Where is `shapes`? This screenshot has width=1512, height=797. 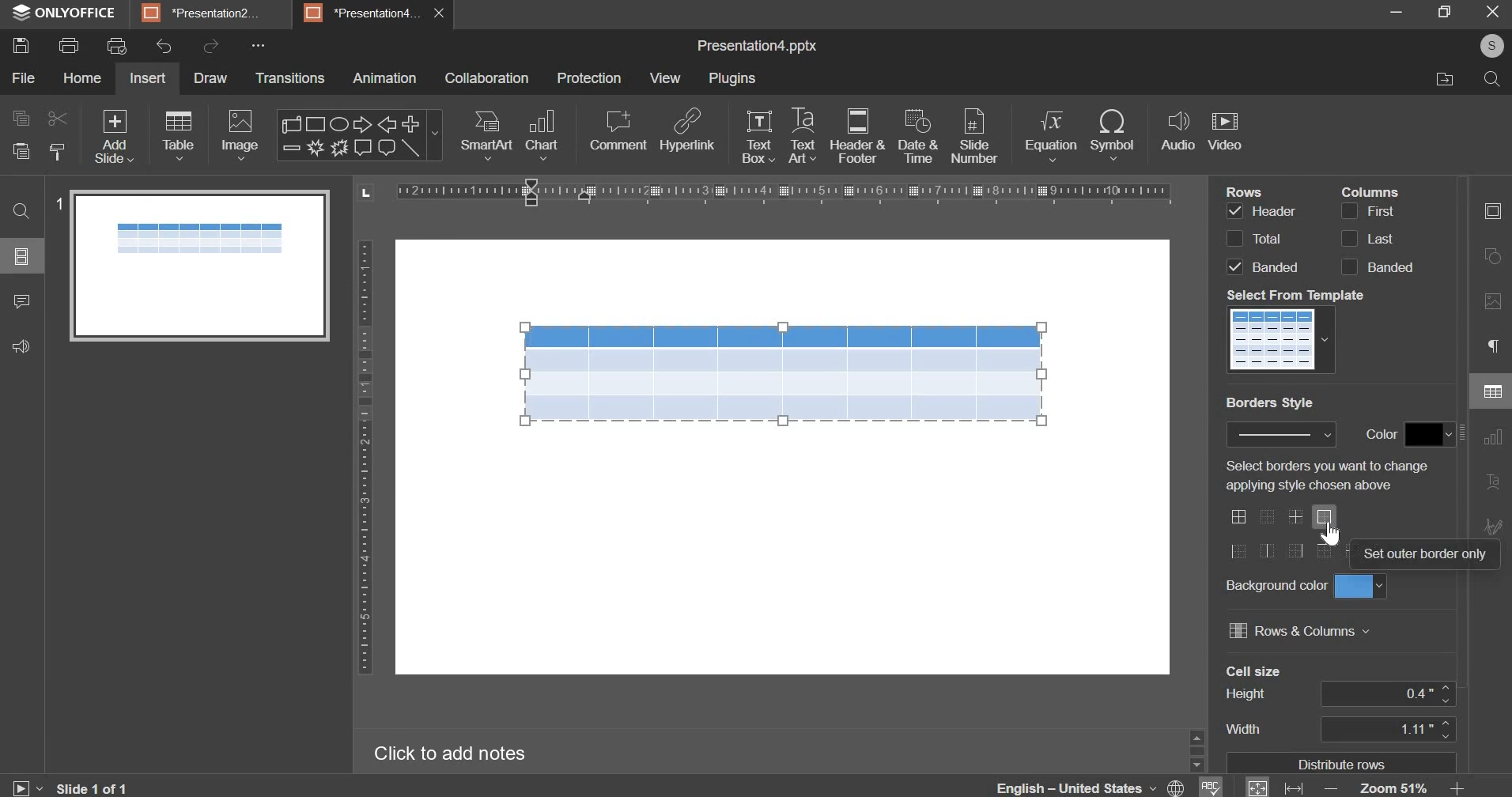 shapes is located at coordinates (358, 135).